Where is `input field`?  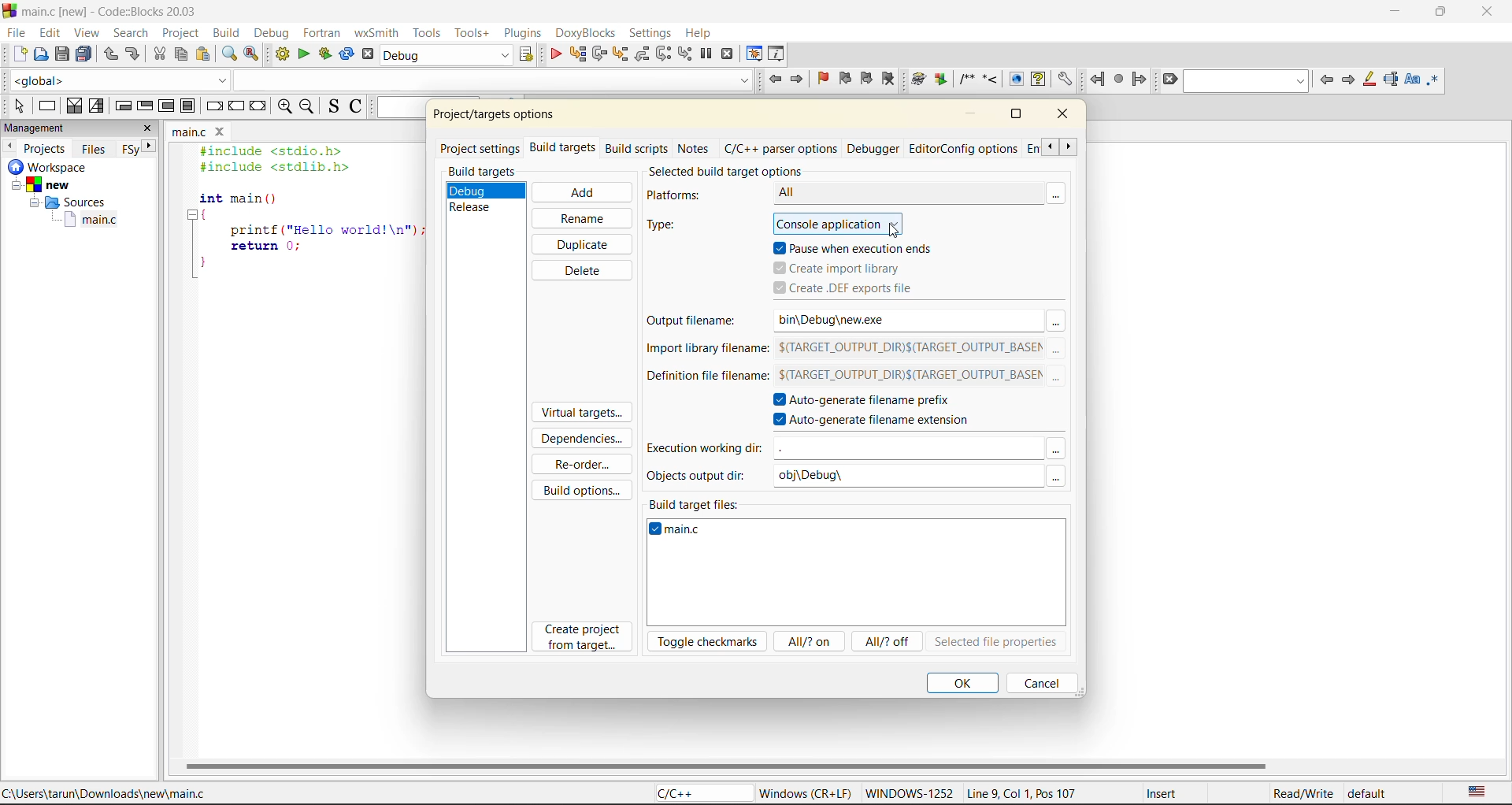
input field is located at coordinates (905, 447).